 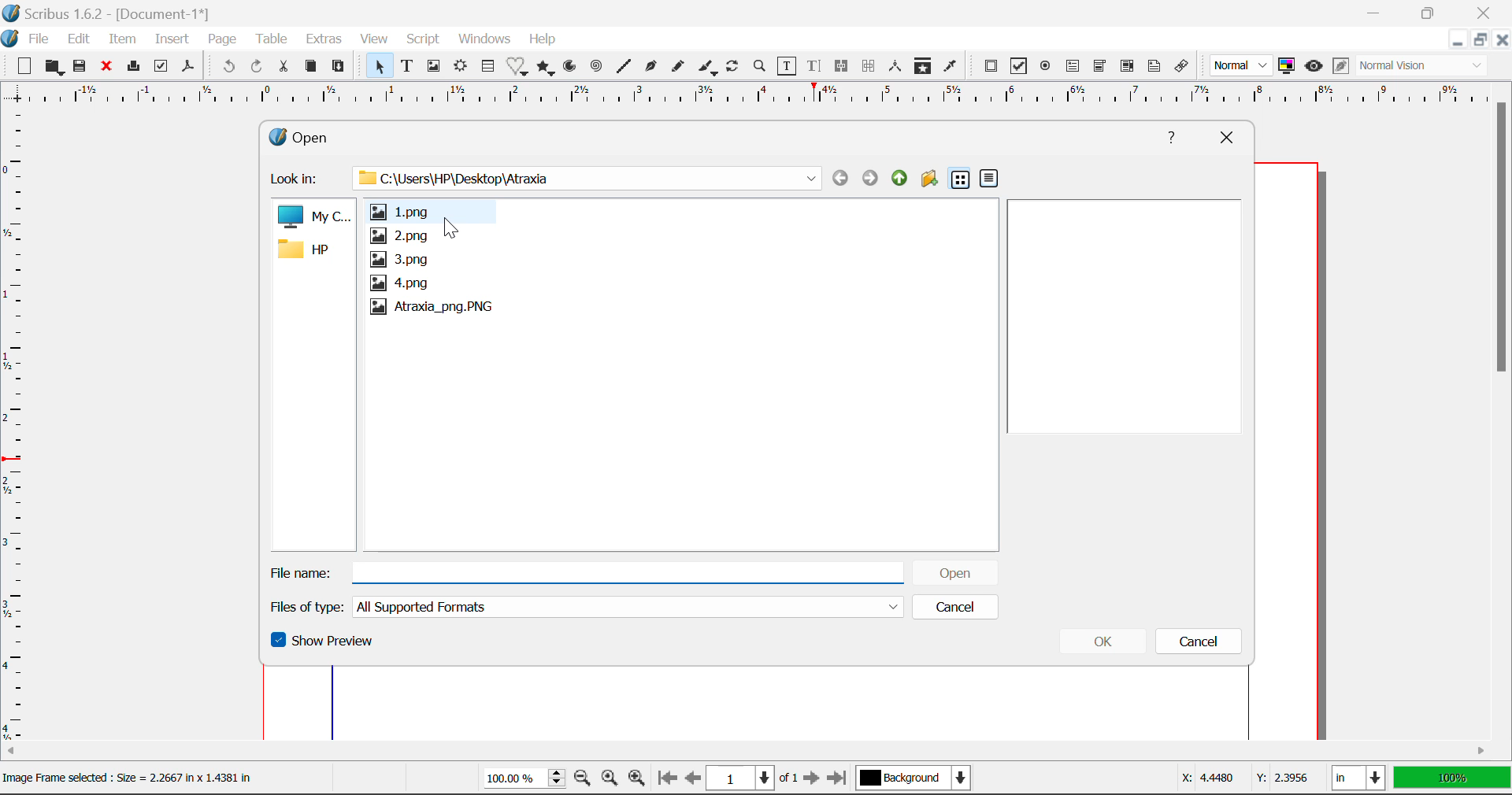 I want to click on Pdf Text Field, so click(x=1073, y=68).